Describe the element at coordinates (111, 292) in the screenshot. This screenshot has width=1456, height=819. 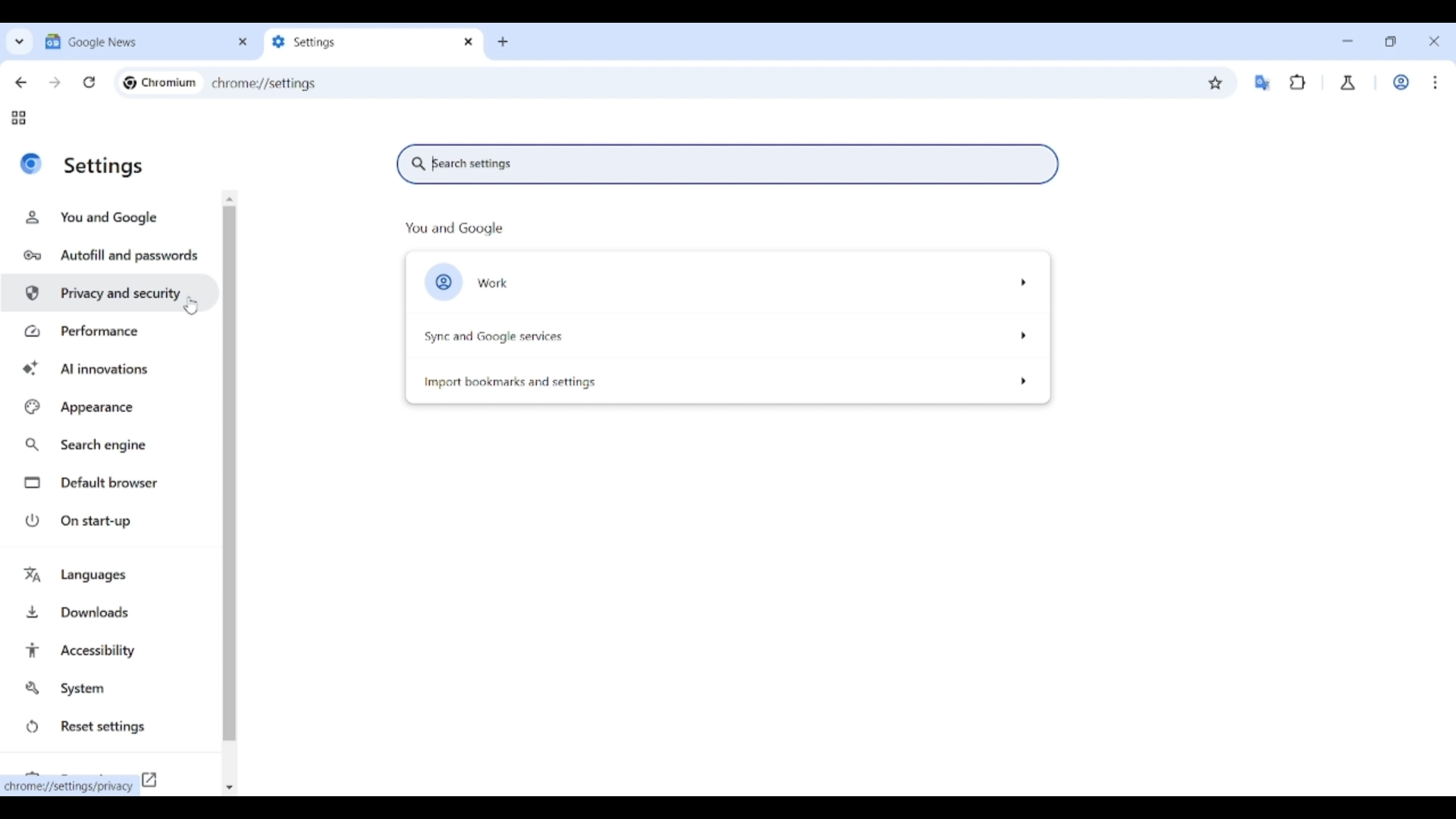
I see `Privacy and security` at that location.